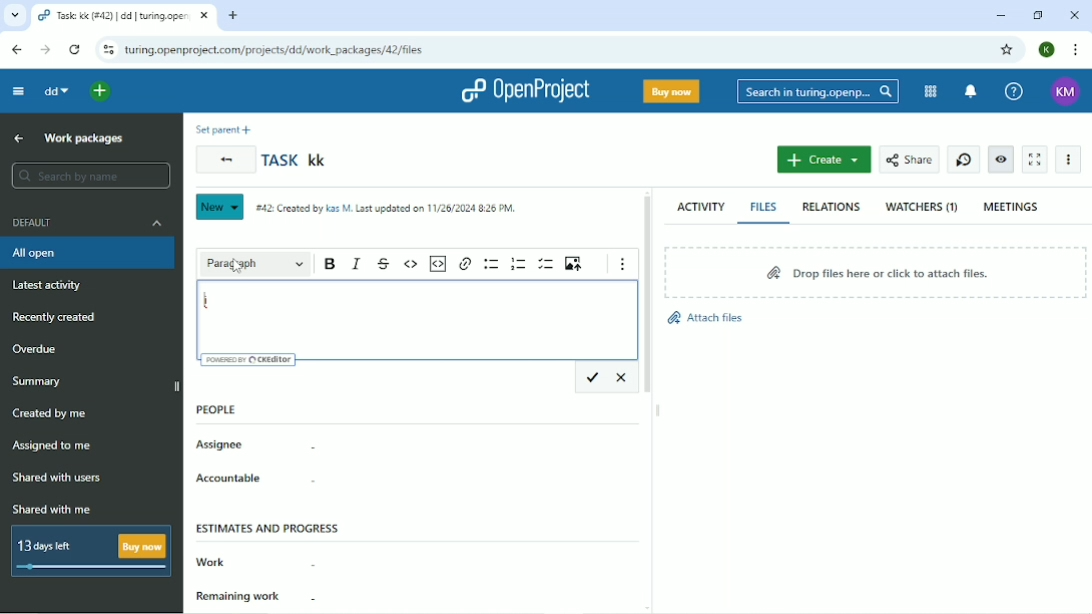 This screenshot has width=1092, height=614. I want to click on OpenProject, so click(527, 90).